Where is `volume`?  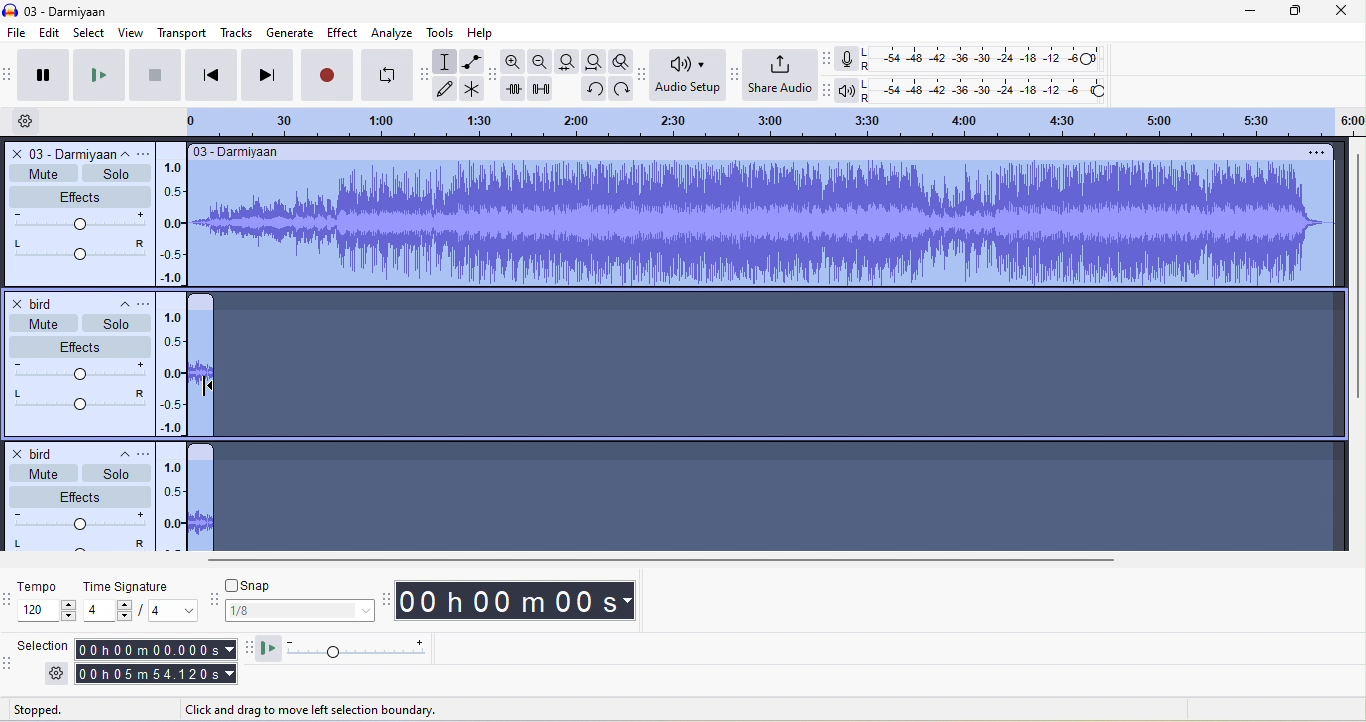 volume is located at coordinates (79, 222).